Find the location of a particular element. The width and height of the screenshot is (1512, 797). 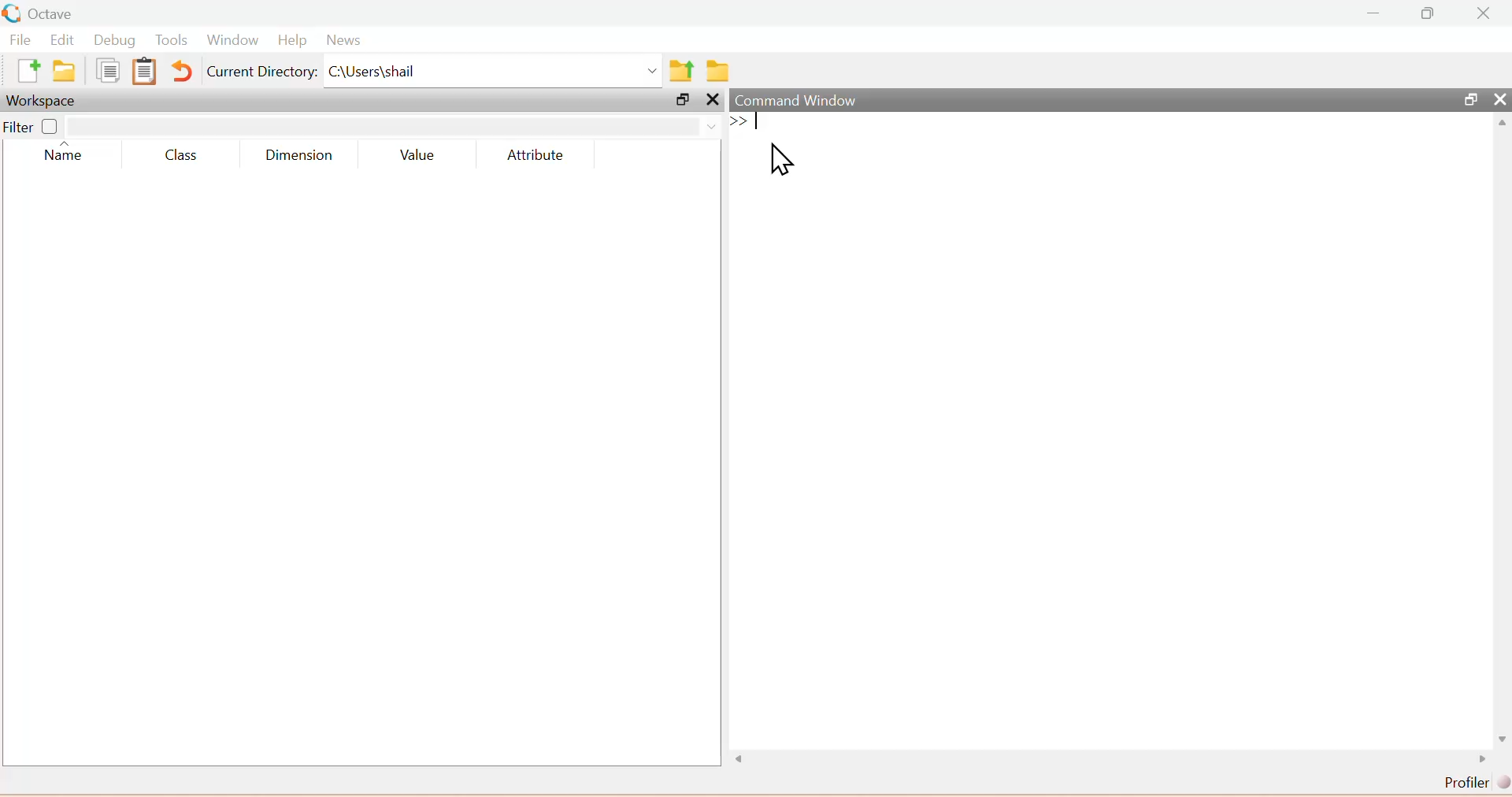

Value is located at coordinates (417, 157).